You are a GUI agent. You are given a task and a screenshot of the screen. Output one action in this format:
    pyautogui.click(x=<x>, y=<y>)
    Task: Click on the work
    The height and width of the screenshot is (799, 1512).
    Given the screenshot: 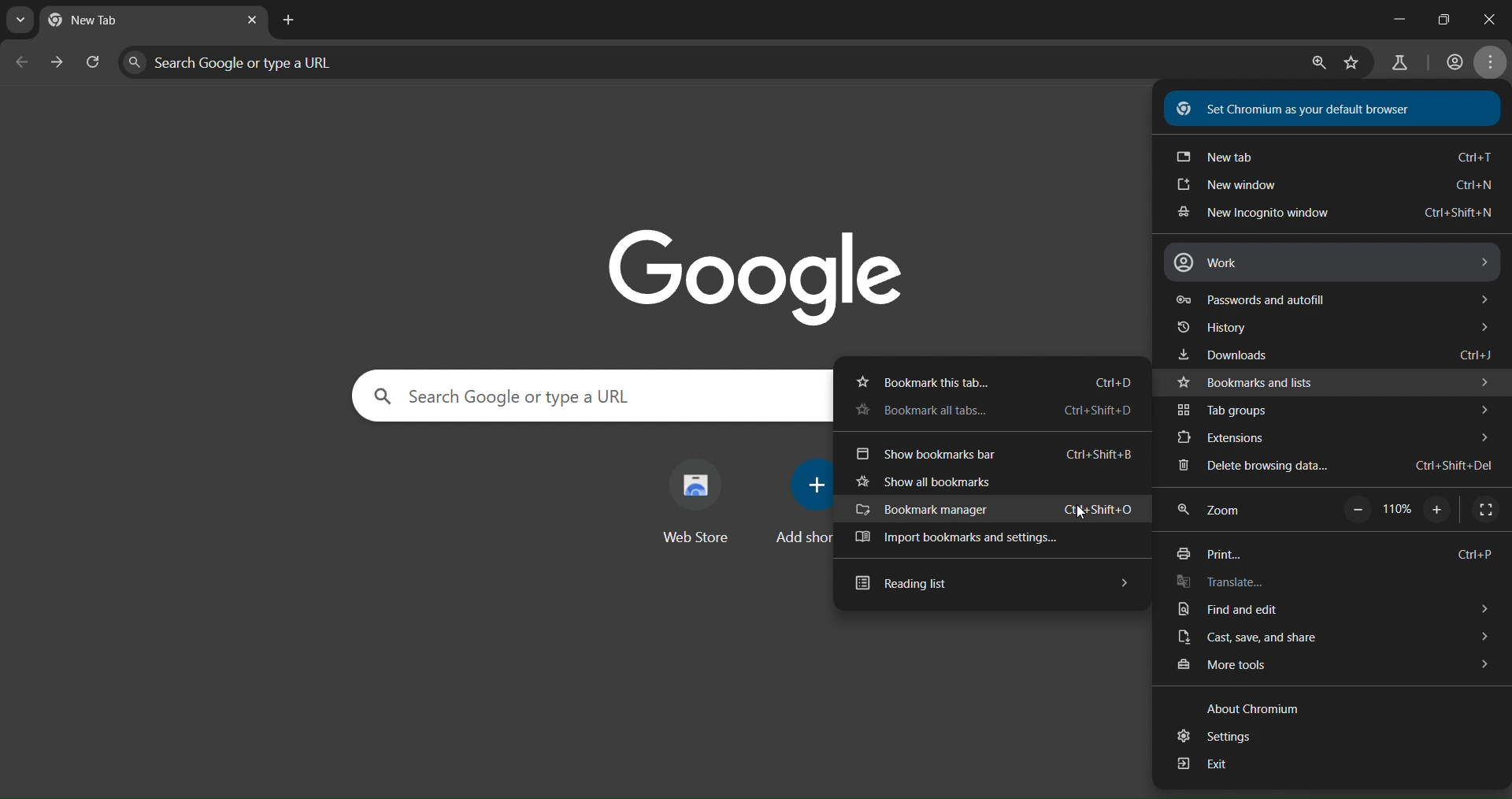 What is the action you would take?
    pyautogui.click(x=1341, y=265)
    